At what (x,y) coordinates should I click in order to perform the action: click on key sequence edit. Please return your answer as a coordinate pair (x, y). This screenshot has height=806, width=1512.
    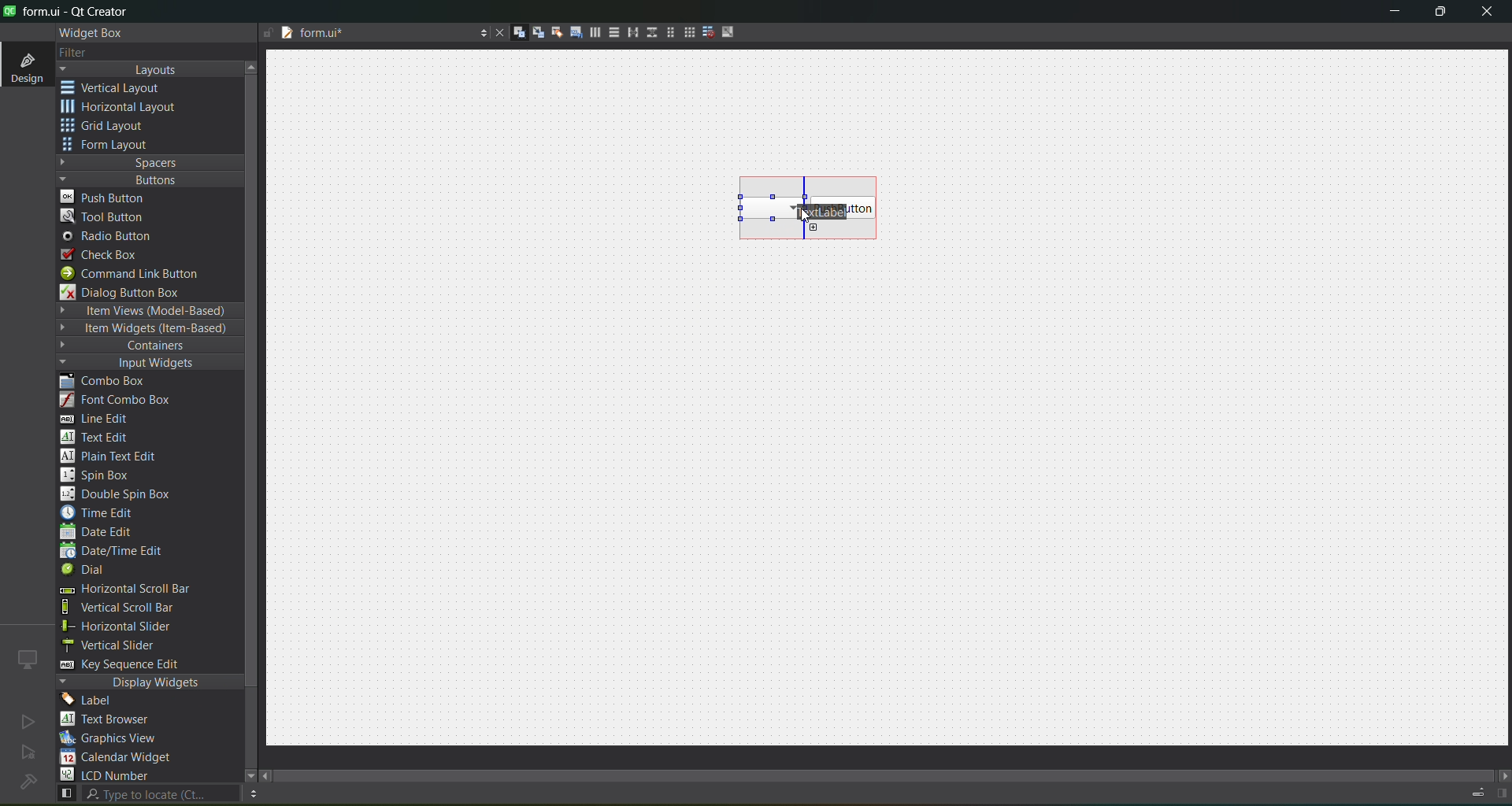
    Looking at the image, I should click on (131, 665).